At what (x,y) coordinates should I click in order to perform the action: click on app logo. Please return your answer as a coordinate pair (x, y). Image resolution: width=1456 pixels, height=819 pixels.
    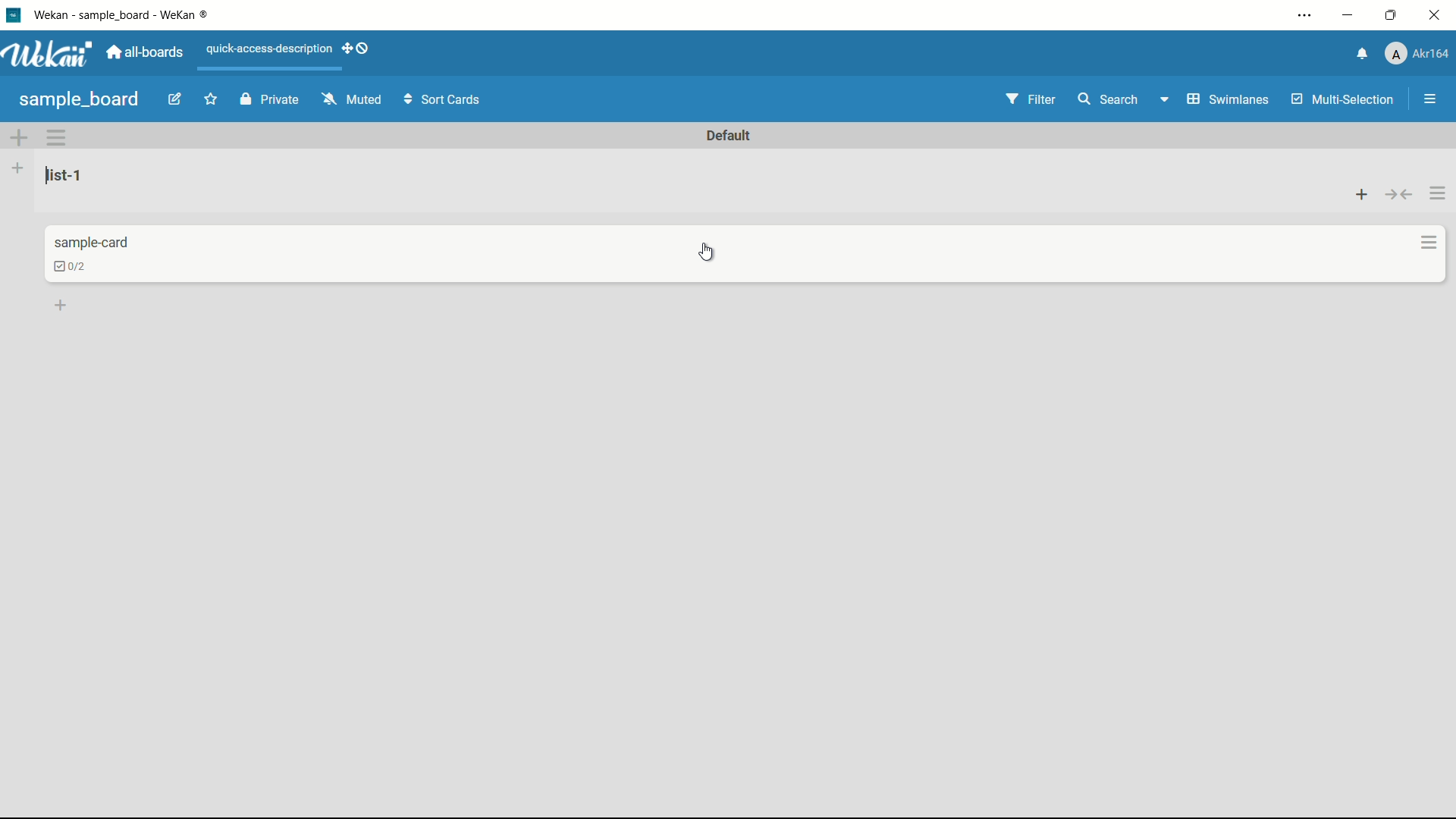
    Looking at the image, I should click on (52, 55).